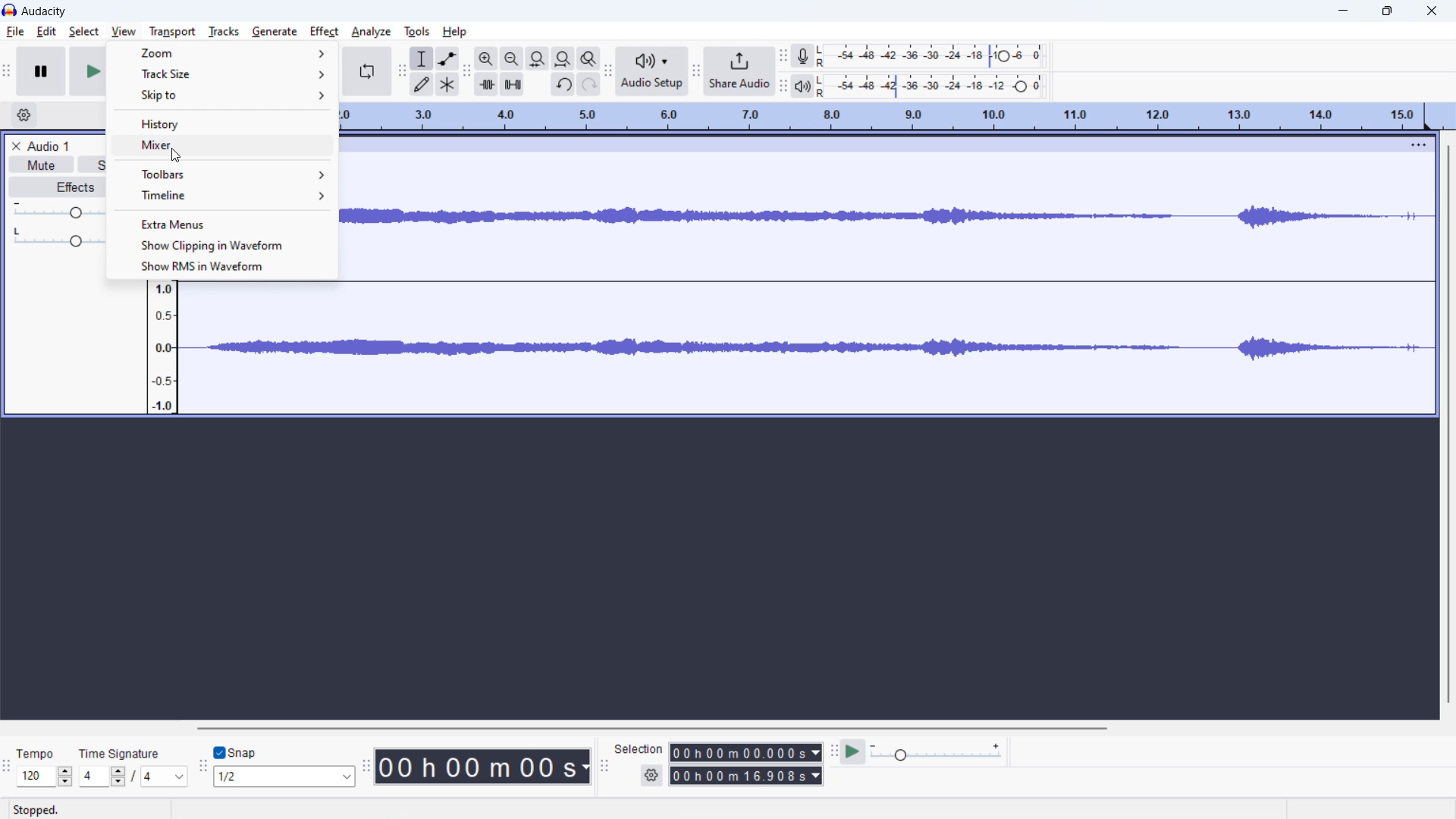 The width and height of the screenshot is (1456, 819). I want to click on play, so click(89, 74).